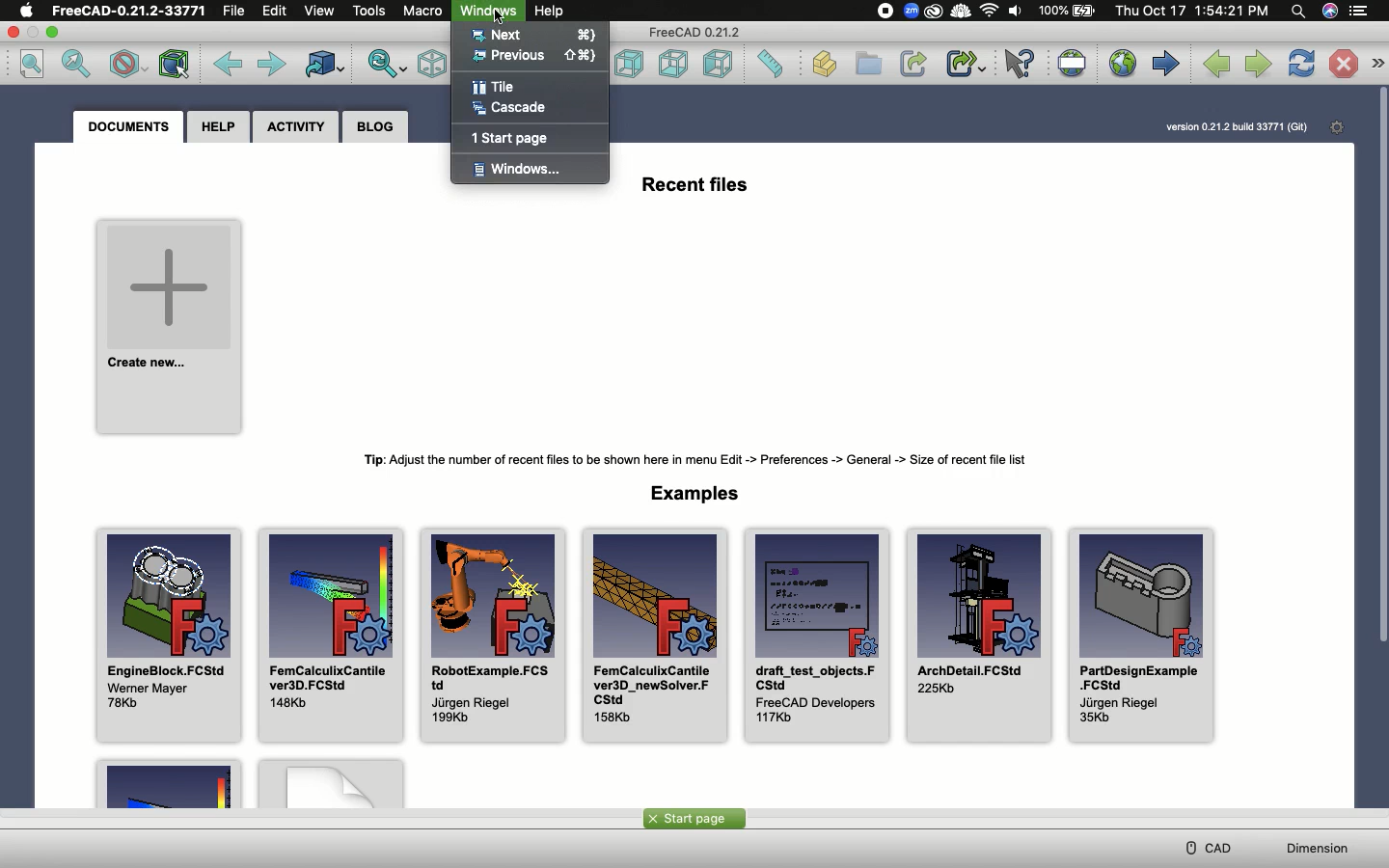 This screenshot has width=1389, height=868. What do you see at coordinates (1016, 12) in the screenshot?
I see `Volume` at bounding box center [1016, 12].